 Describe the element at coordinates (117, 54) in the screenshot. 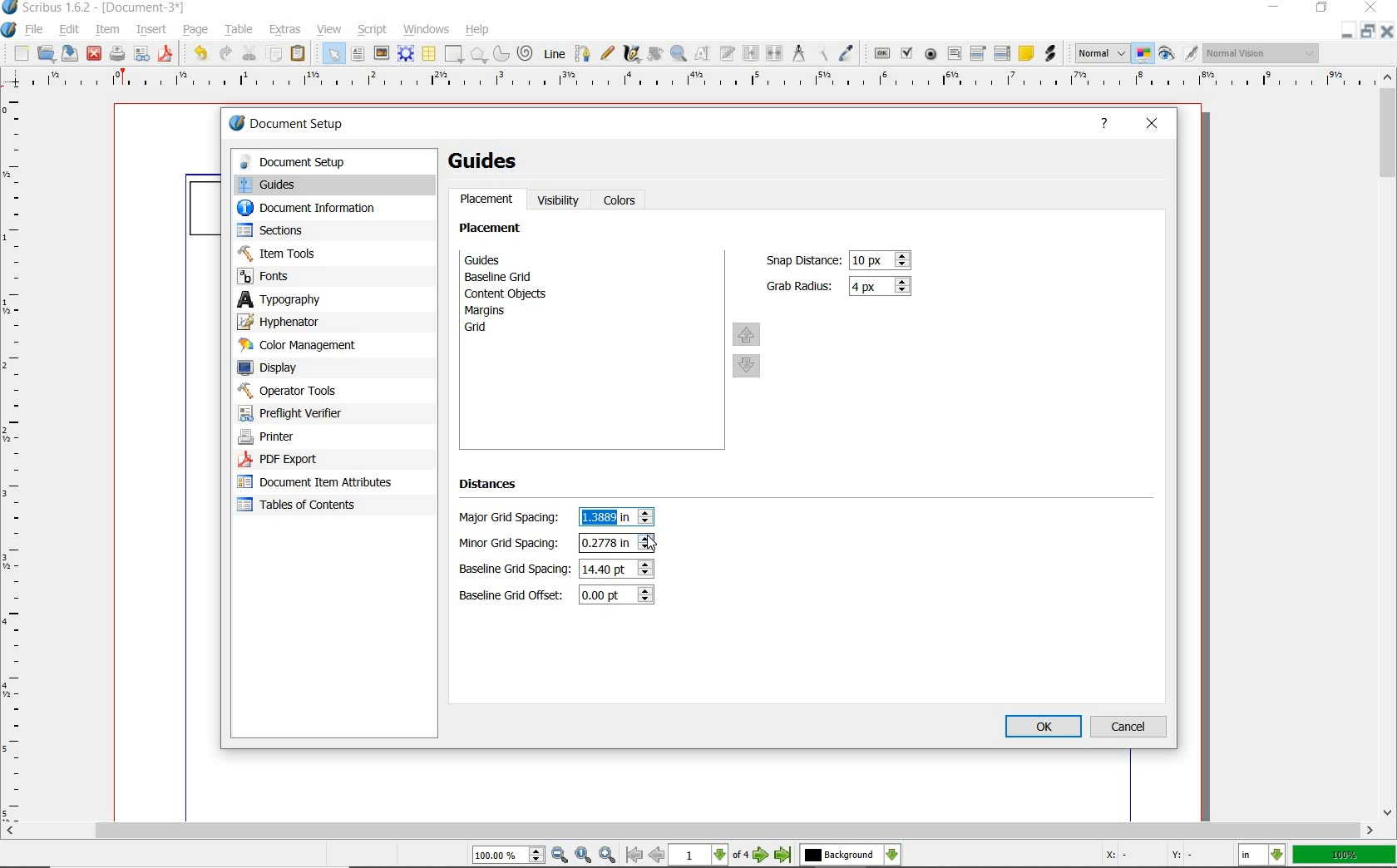

I see `print` at that location.